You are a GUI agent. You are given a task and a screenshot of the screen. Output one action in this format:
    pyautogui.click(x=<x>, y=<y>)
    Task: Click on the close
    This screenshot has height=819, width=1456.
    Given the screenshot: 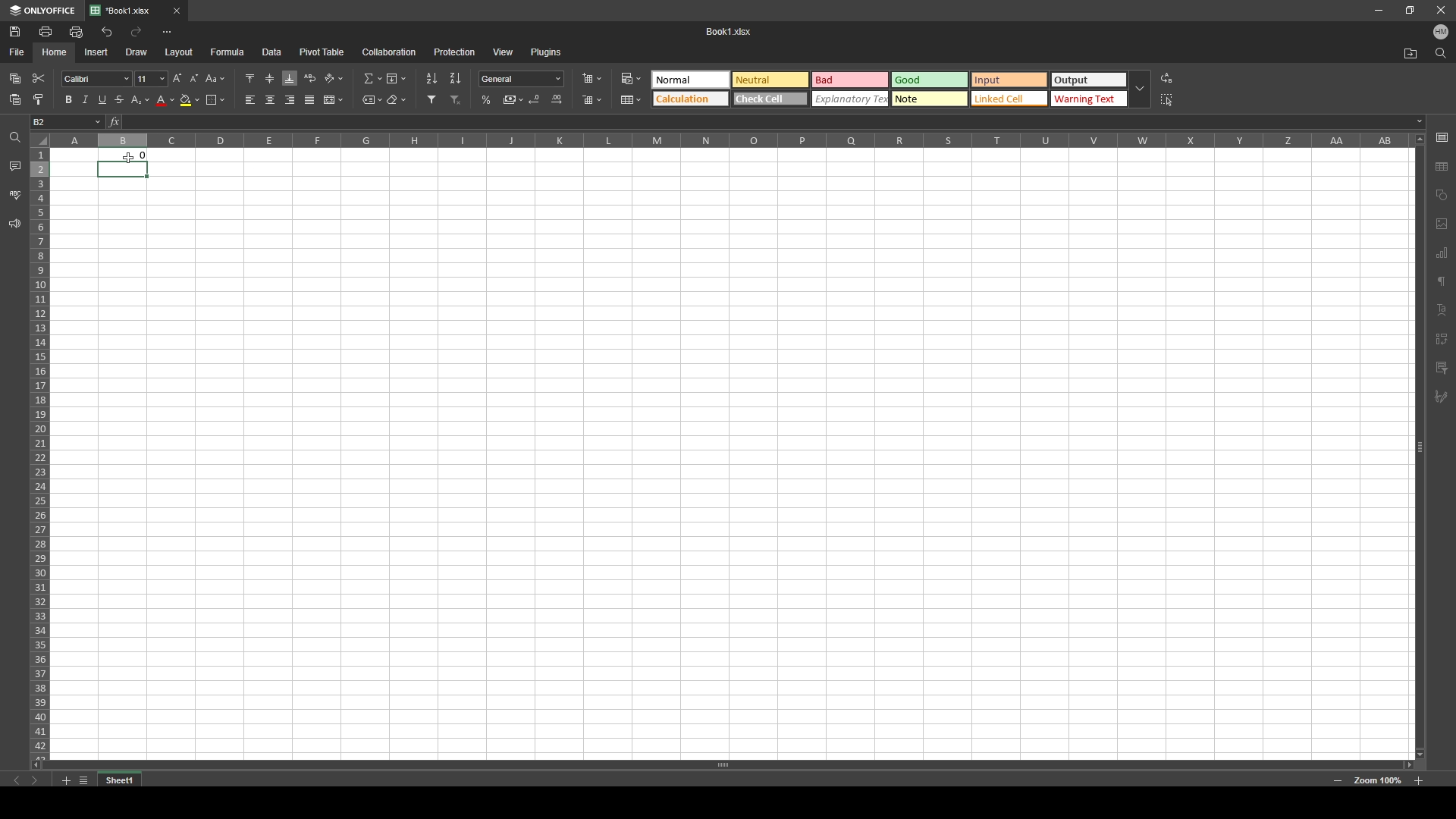 What is the action you would take?
    pyautogui.click(x=1439, y=10)
    